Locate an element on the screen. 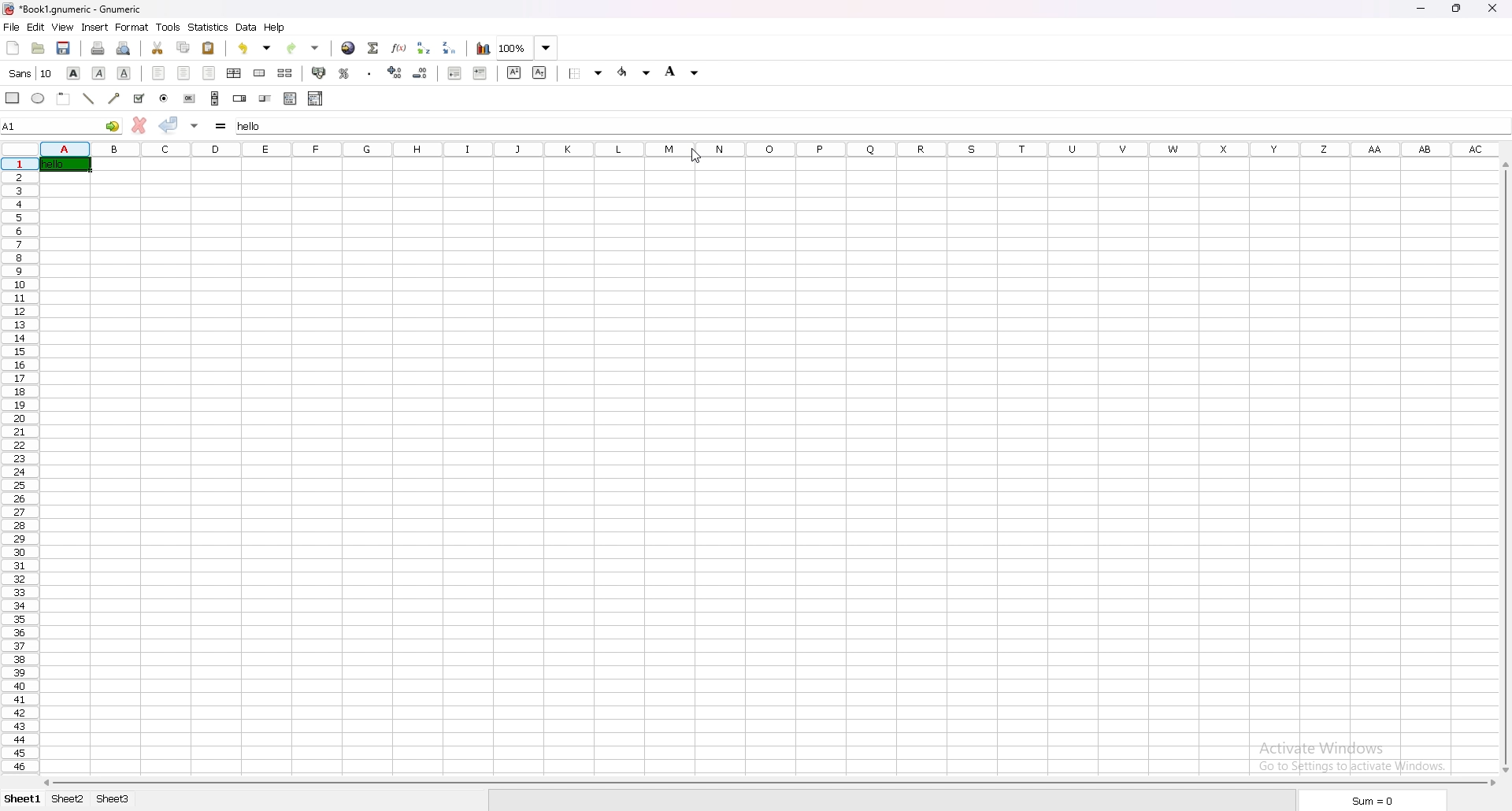 The width and height of the screenshot is (1512, 811). Sum=0 is located at coordinates (1370, 801).